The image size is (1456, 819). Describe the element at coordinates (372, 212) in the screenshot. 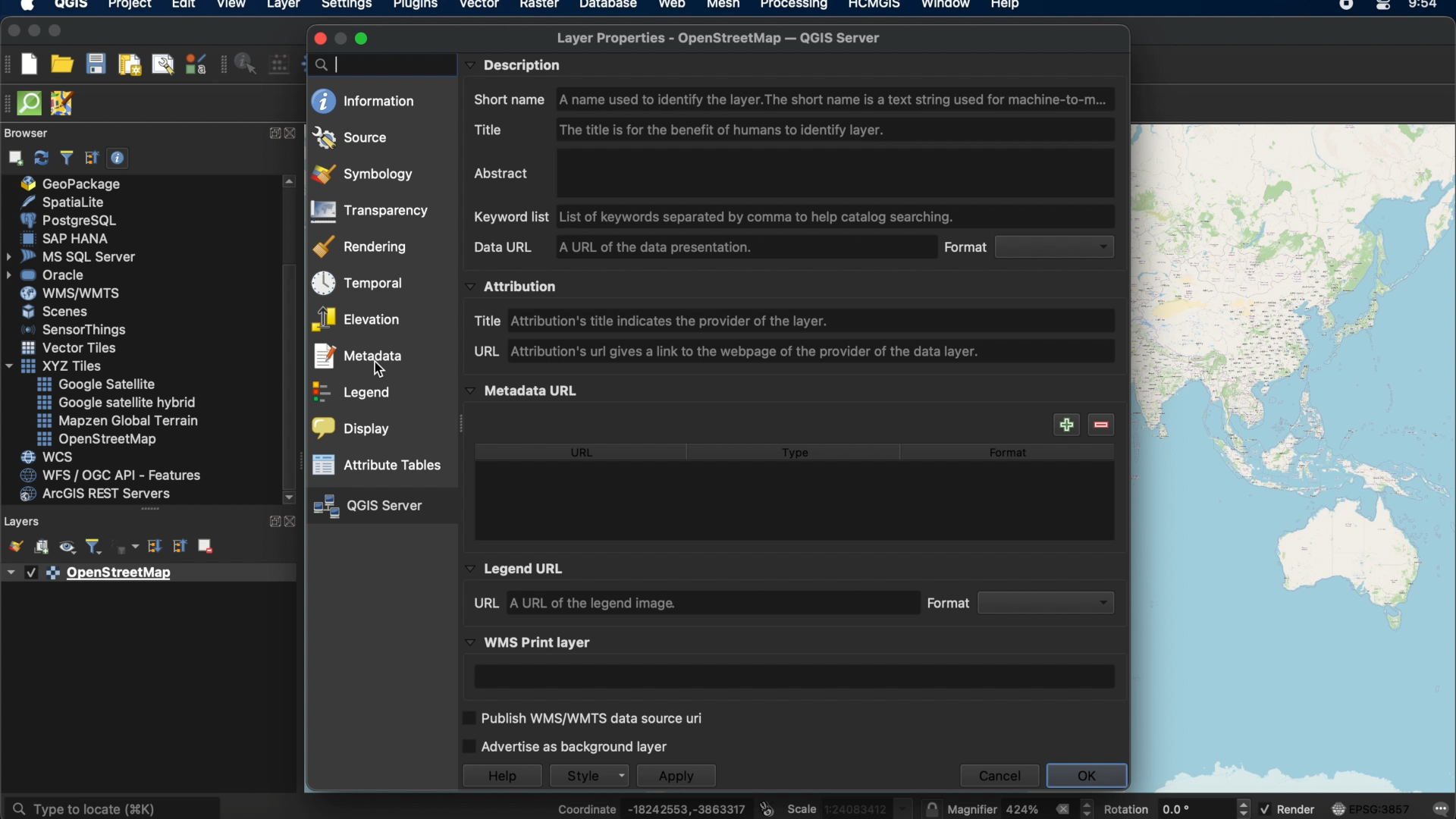

I see `transparency` at that location.